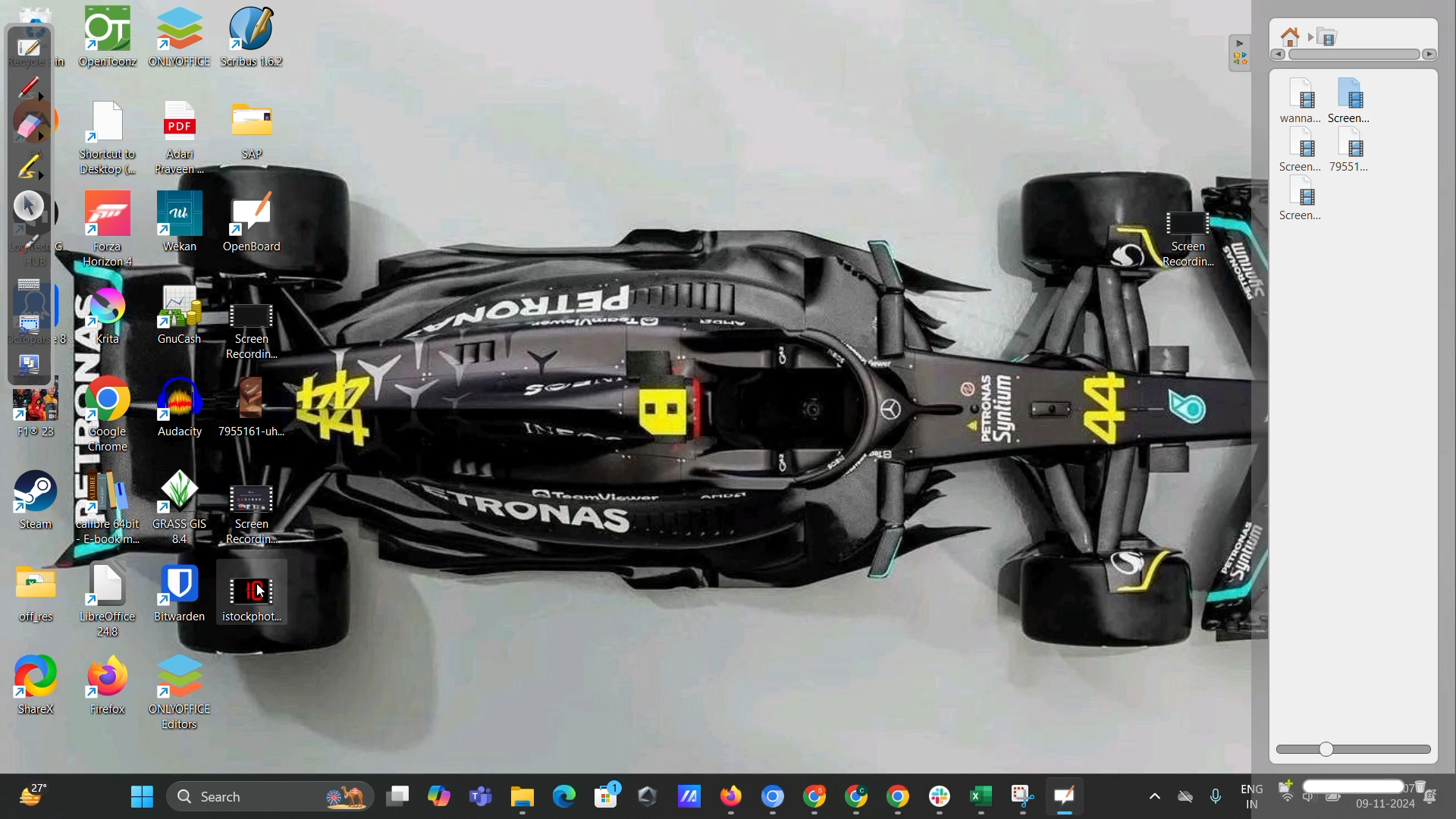  Describe the element at coordinates (181, 316) in the screenshot. I see `GnuCash` at that location.